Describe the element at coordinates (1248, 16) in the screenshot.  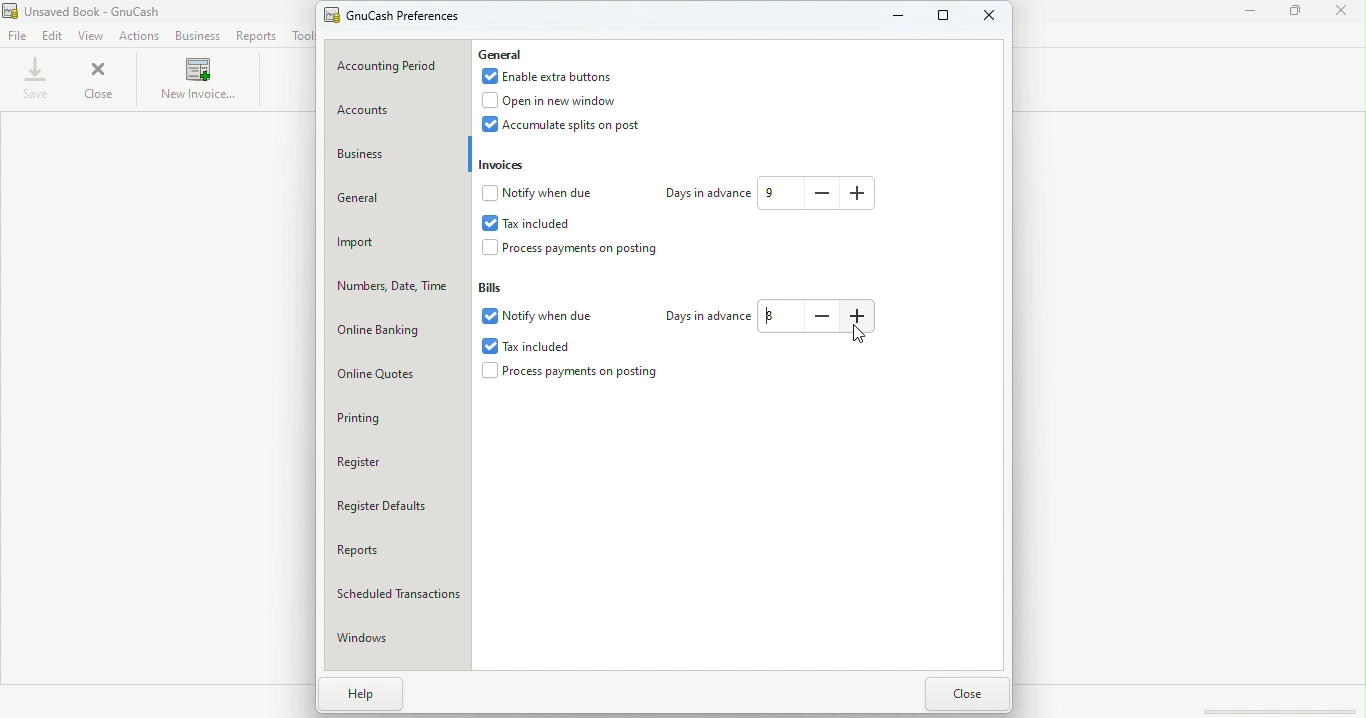
I see `Minimize` at that location.